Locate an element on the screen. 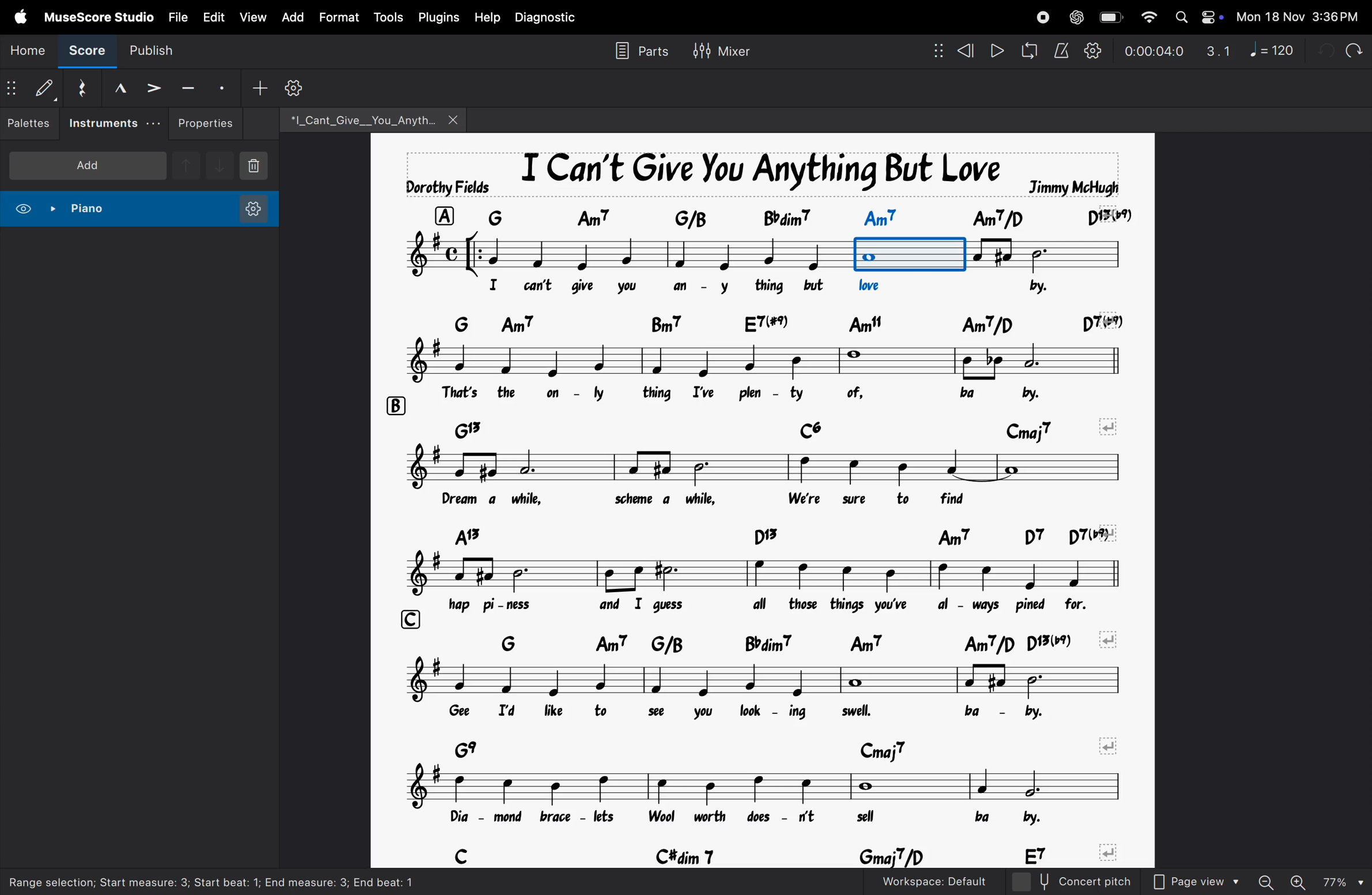 The image size is (1372, 895). up note is located at coordinates (186, 166).